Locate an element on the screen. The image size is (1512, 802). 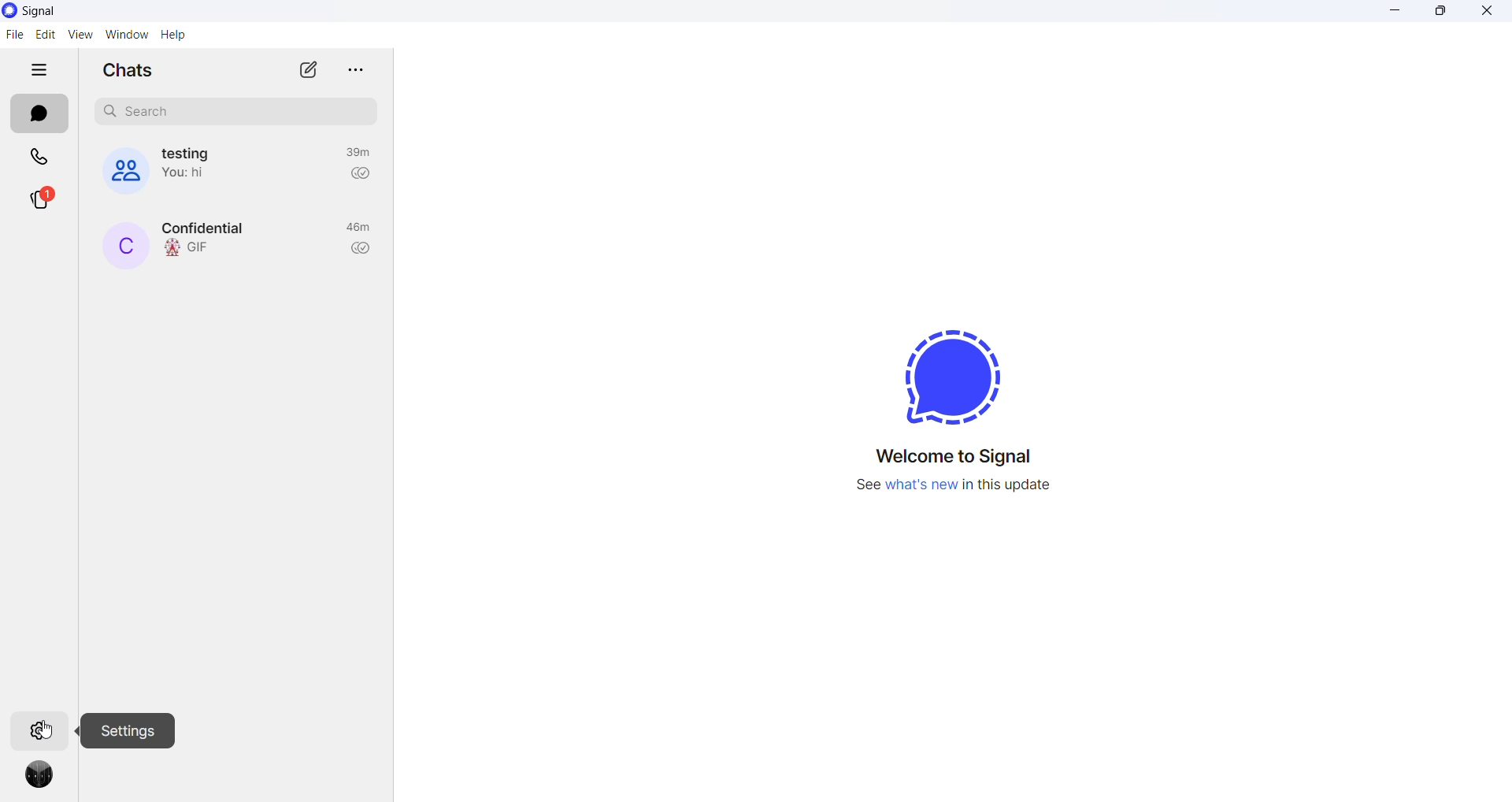
help is located at coordinates (172, 35).